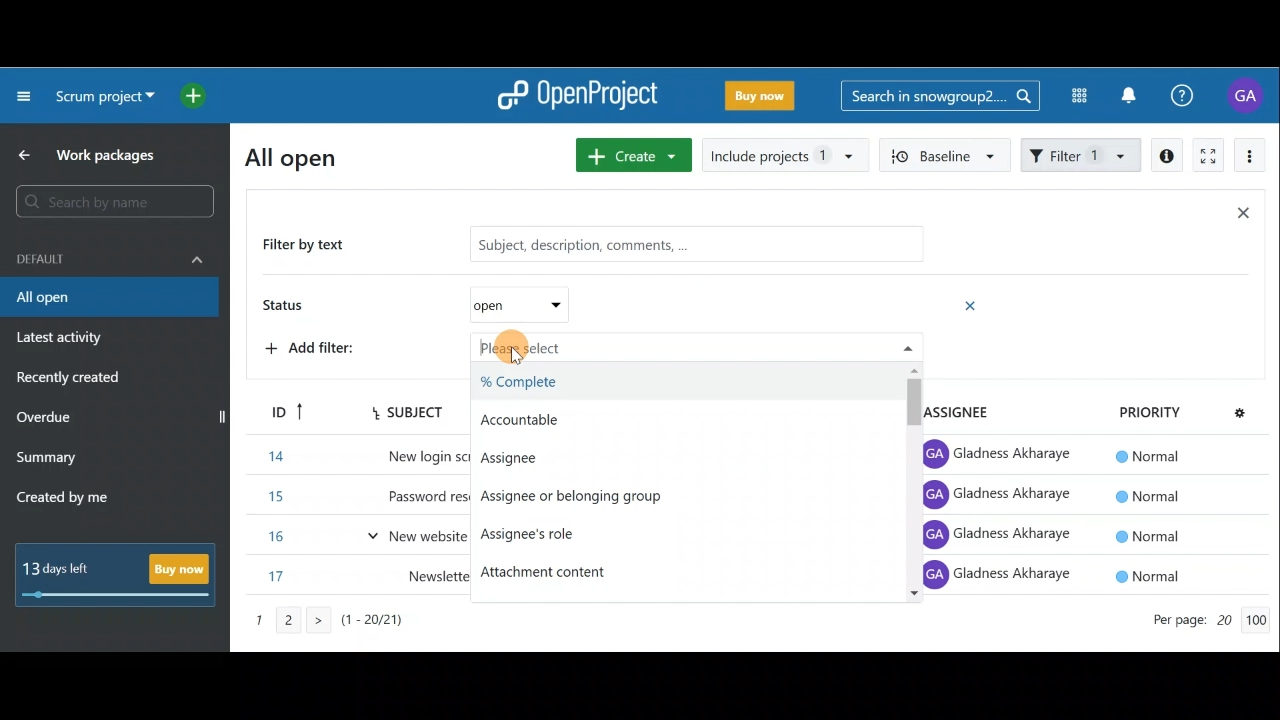 The width and height of the screenshot is (1280, 720). What do you see at coordinates (1082, 153) in the screenshot?
I see `Filter` at bounding box center [1082, 153].